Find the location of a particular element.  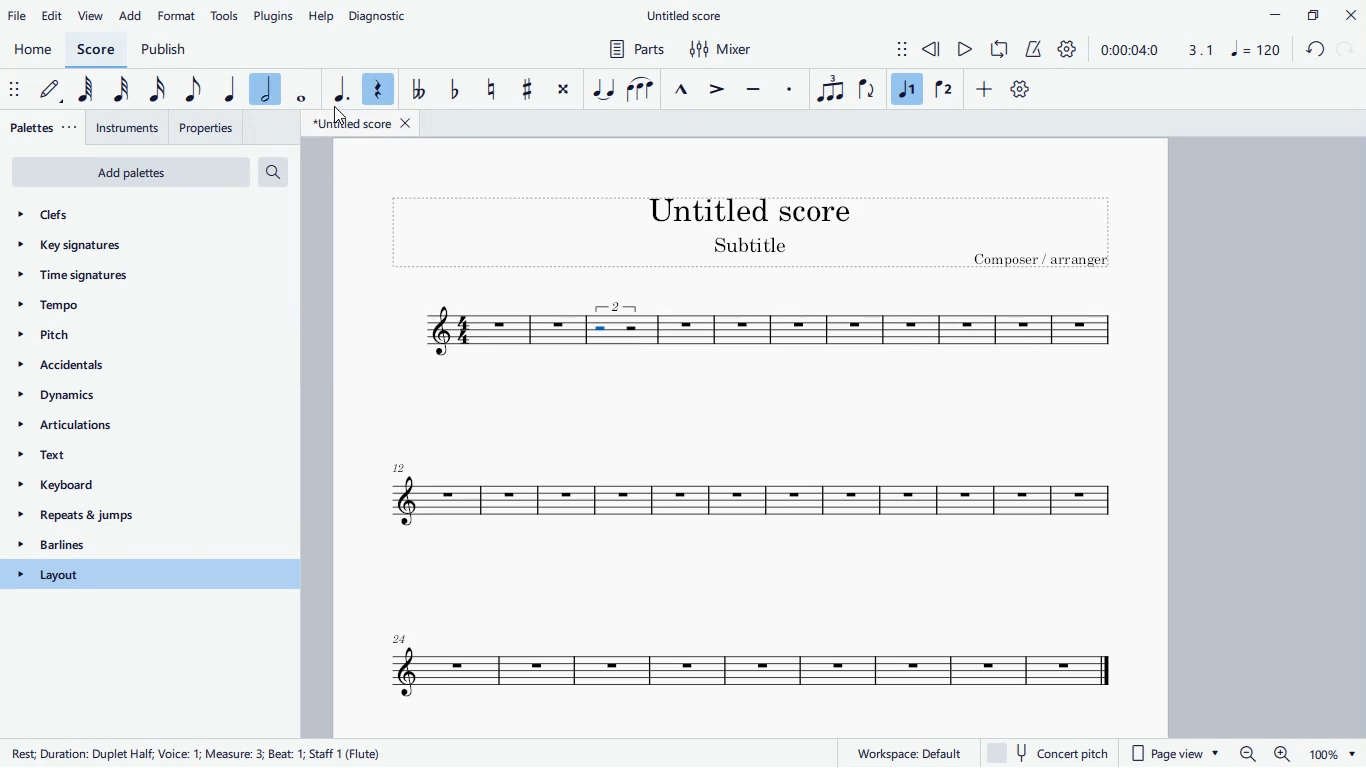

metronome is located at coordinates (1035, 50).